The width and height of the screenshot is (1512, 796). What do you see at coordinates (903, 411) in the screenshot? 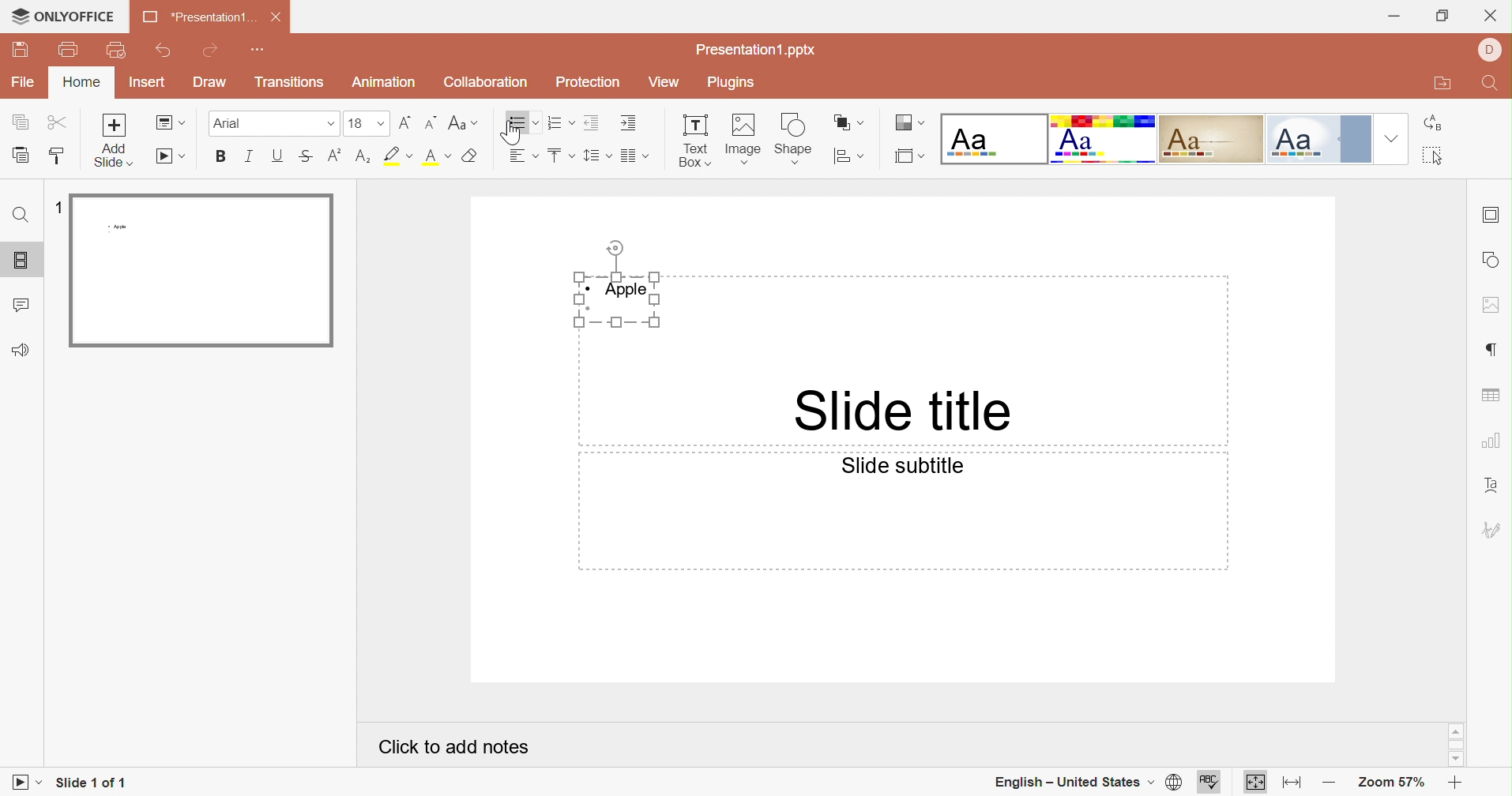
I see `Slide title` at bounding box center [903, 411].